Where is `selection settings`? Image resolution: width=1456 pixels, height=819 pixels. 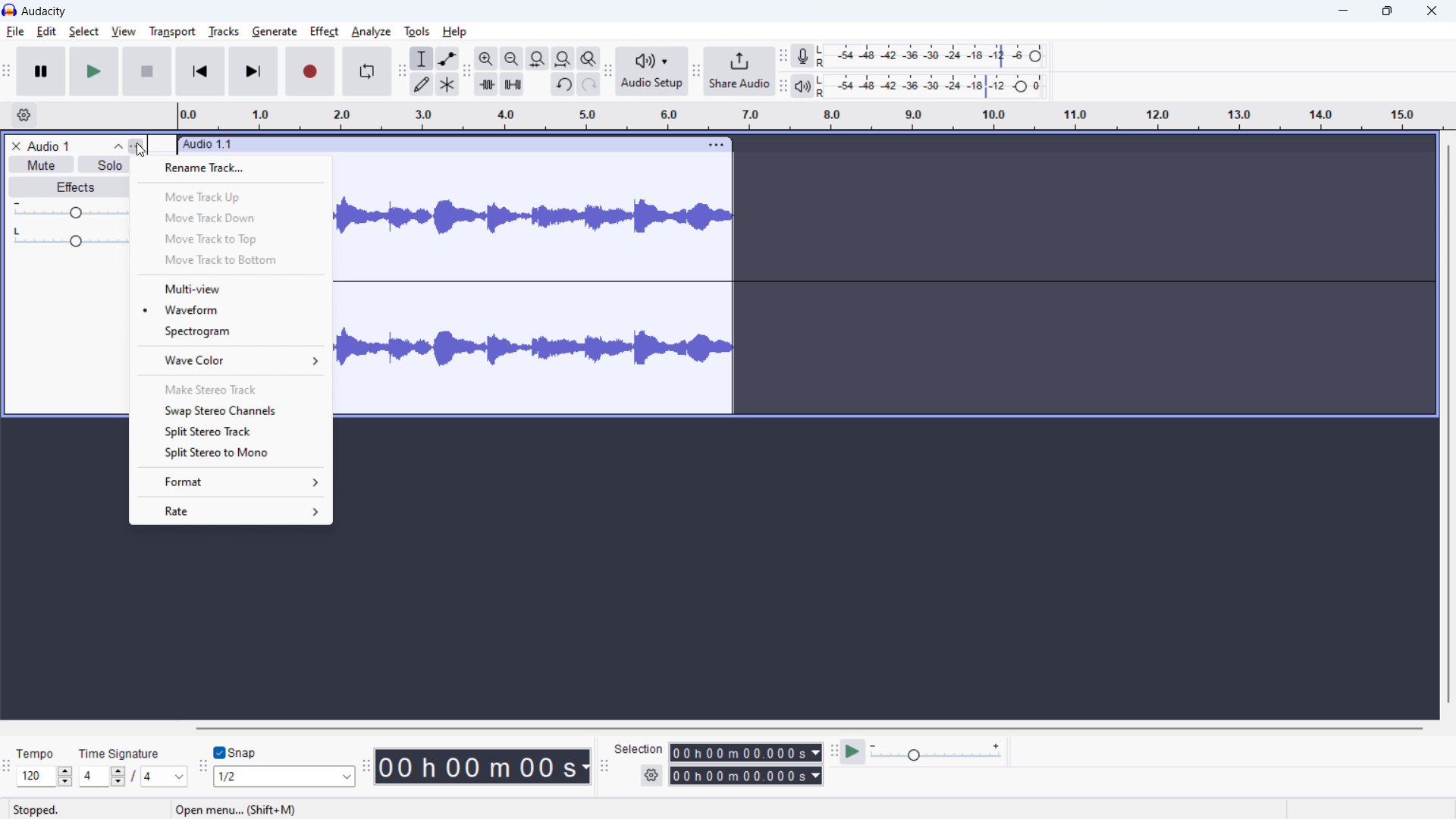 selection settings is located at coordinates (653, 776).